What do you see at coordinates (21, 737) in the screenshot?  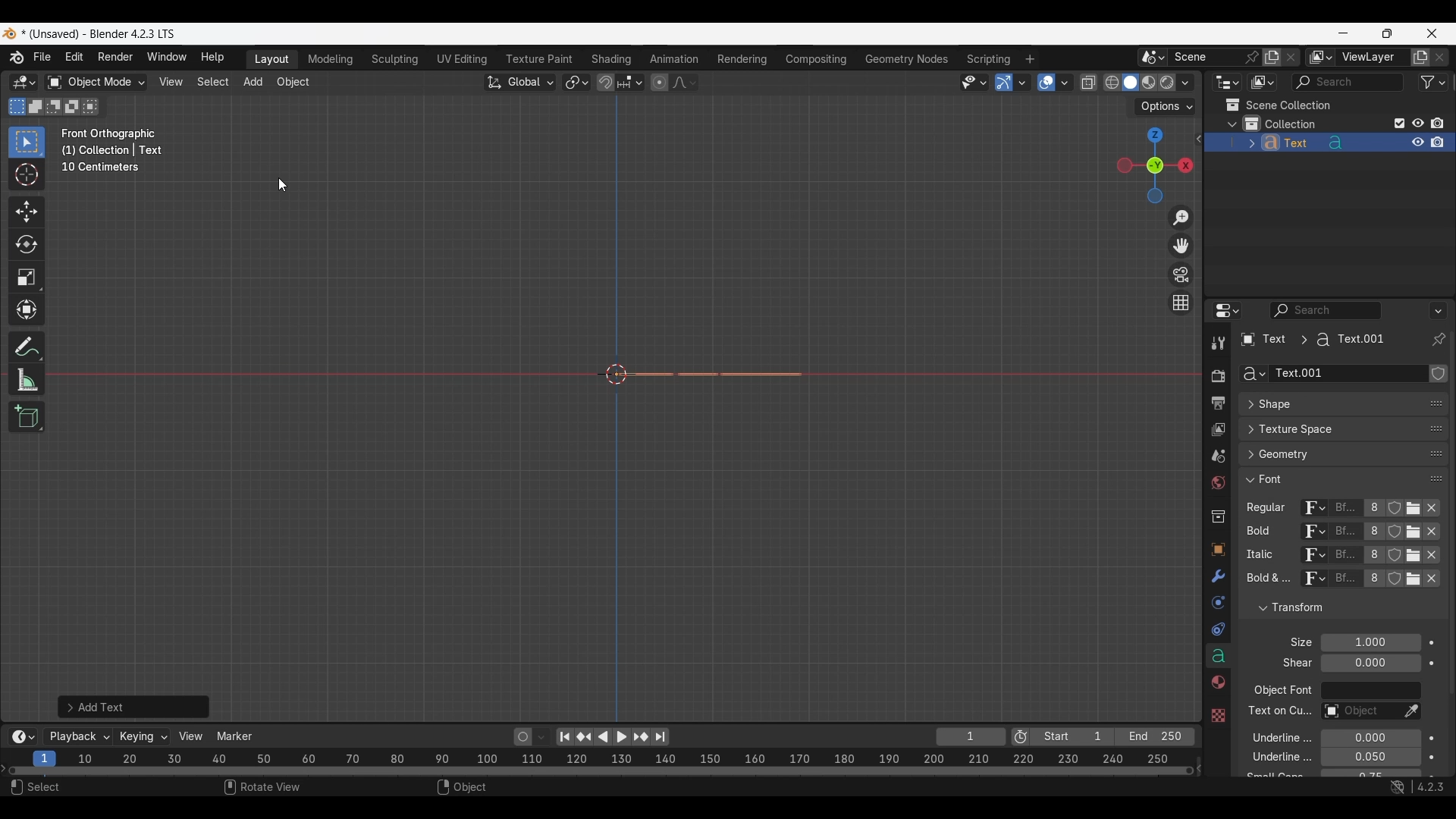 I see `More options` at bounding box center [21, 737].